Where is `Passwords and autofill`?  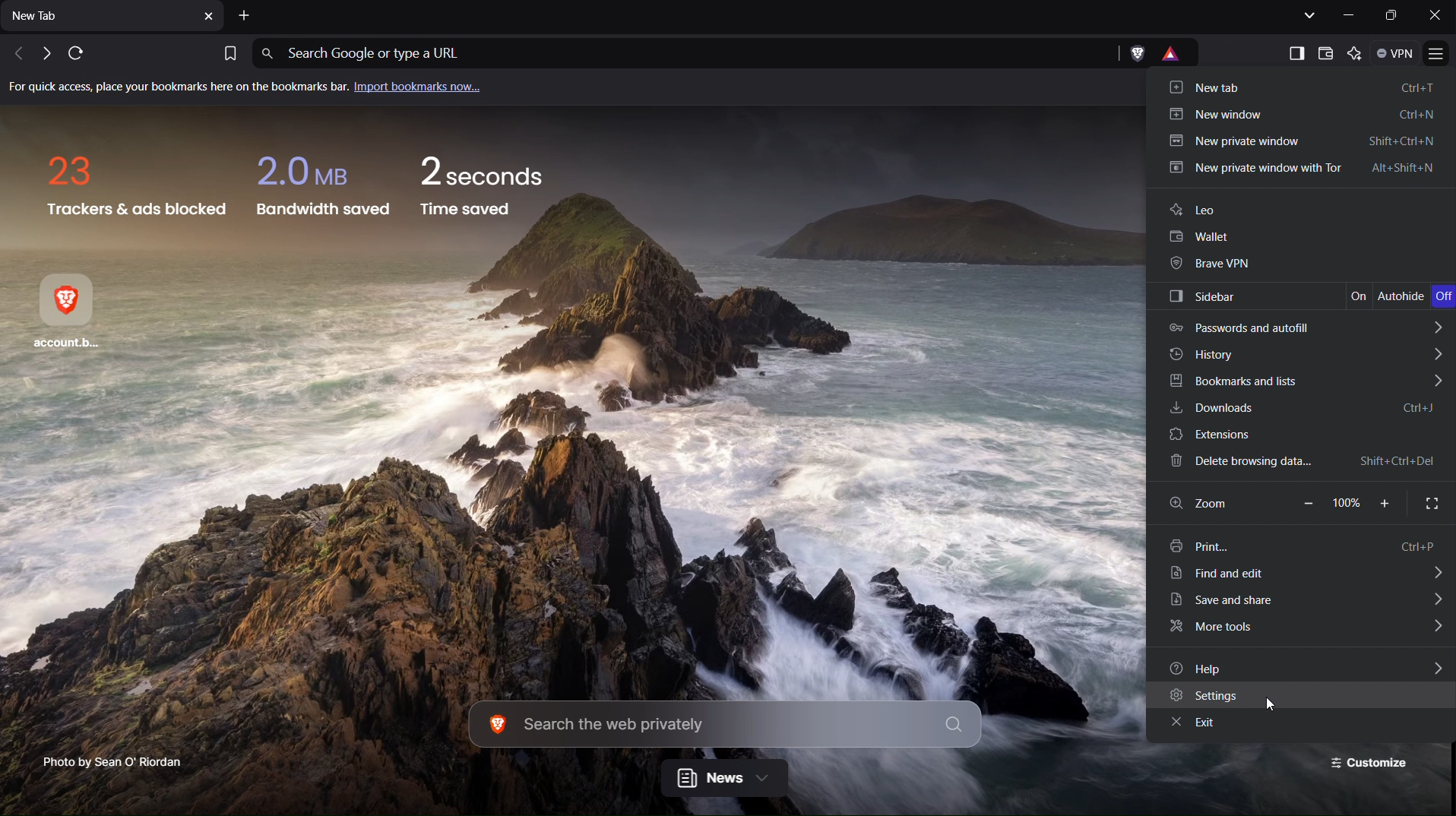 Passwords and autofill is located at coordinates (1301, 326).